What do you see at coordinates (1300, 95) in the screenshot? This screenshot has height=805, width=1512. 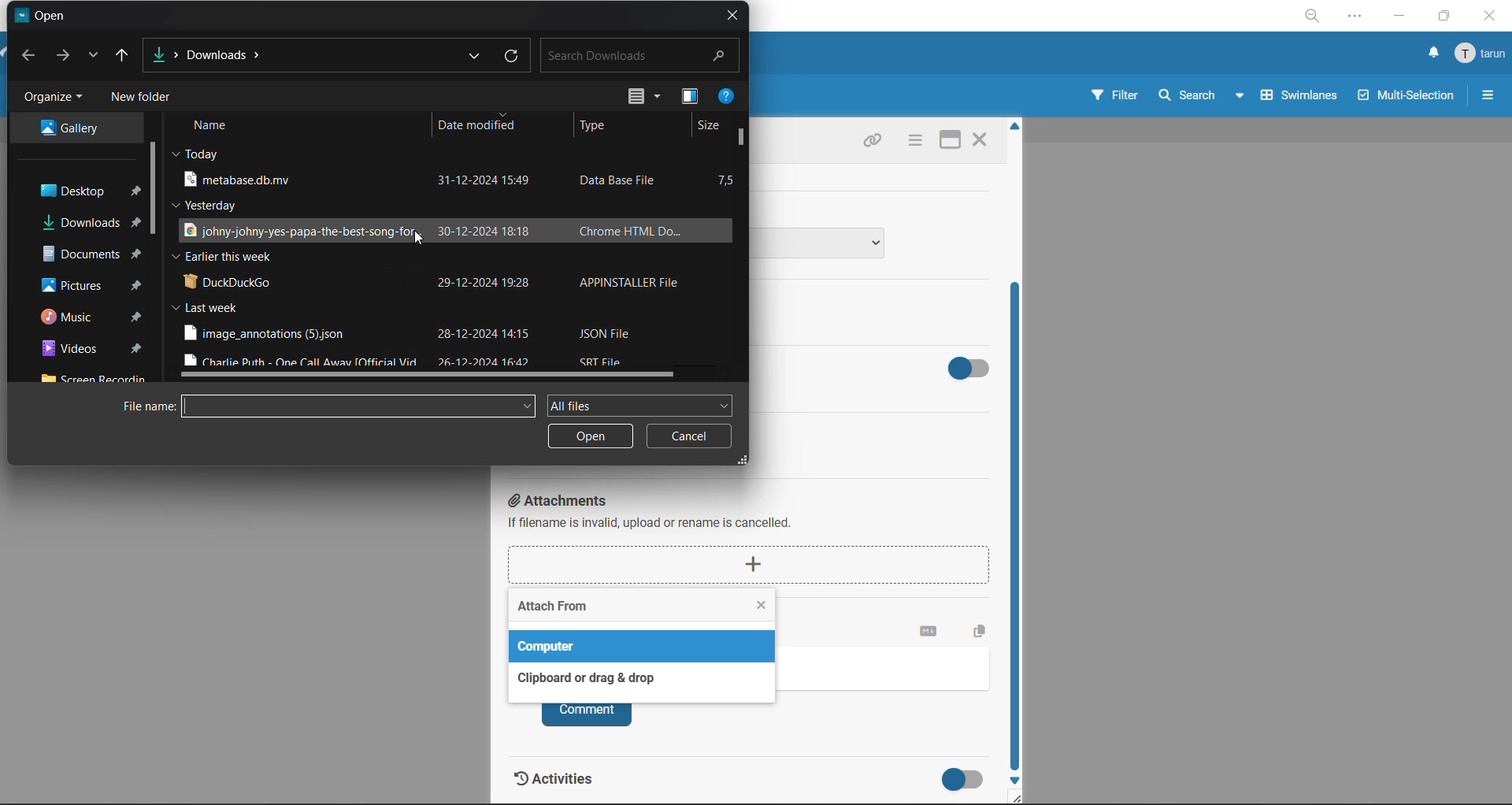 I see `swimlanes` at bounding box center [1300, 95].